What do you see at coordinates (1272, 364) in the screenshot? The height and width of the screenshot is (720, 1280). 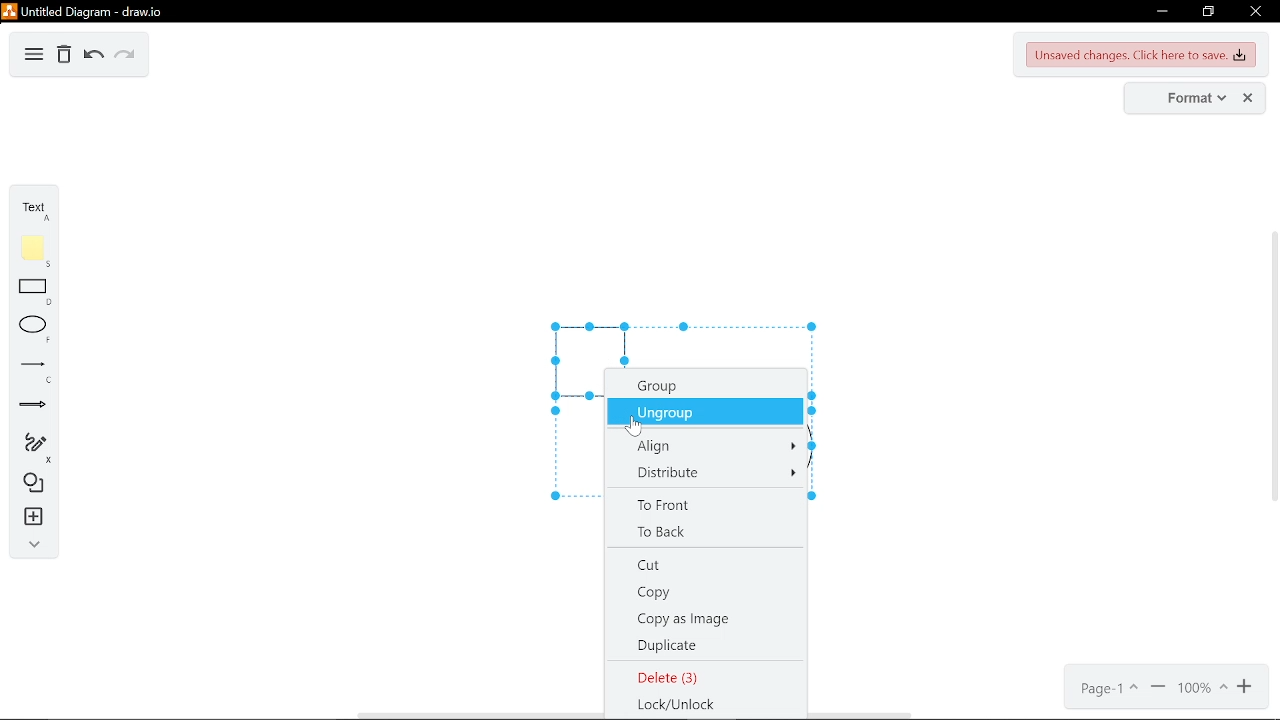 I see `vertical scrollbar` at bounding box center [1272, 364].